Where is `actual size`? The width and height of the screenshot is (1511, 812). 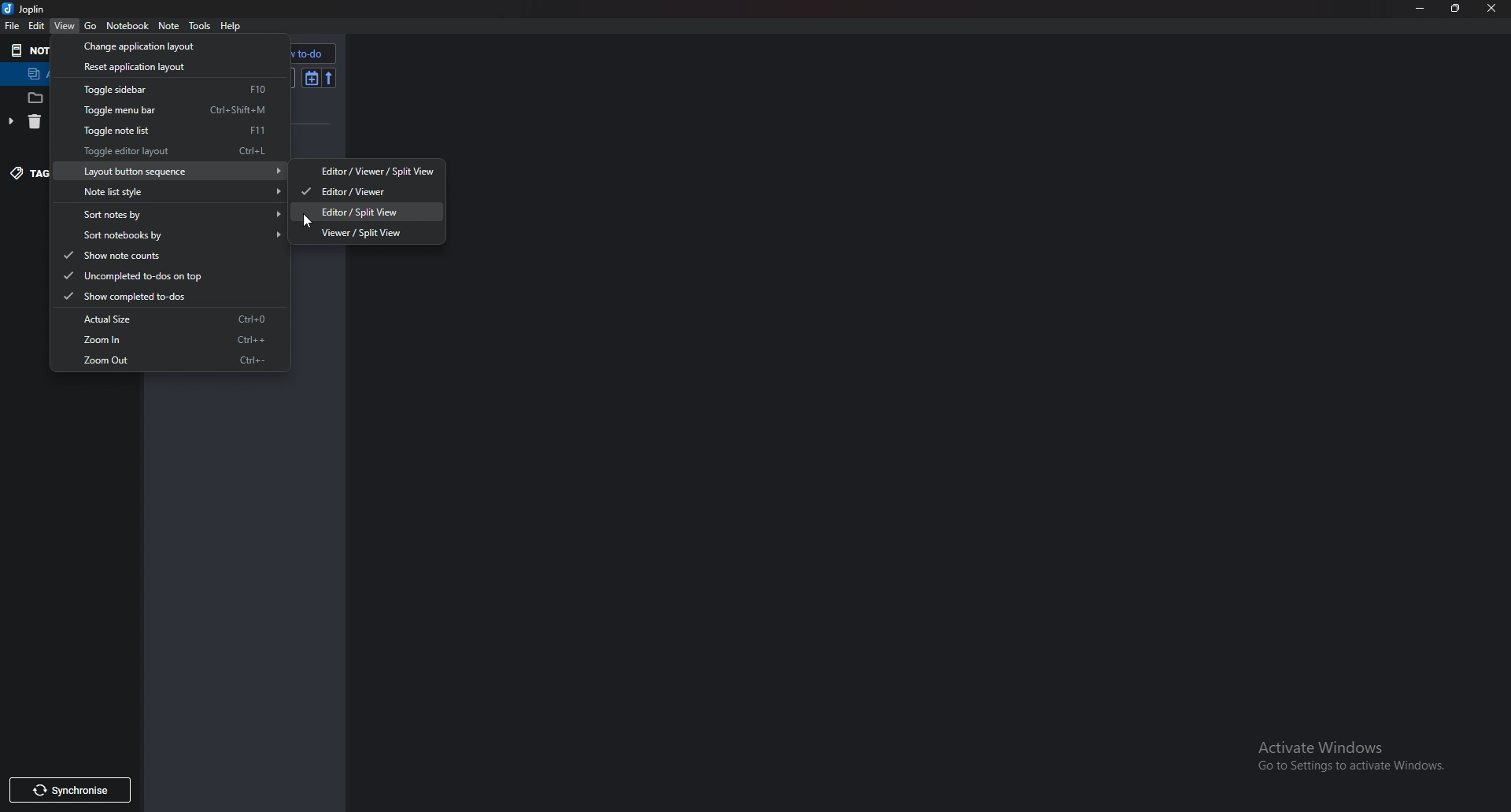
actual size is located at coordinates (168, 319).